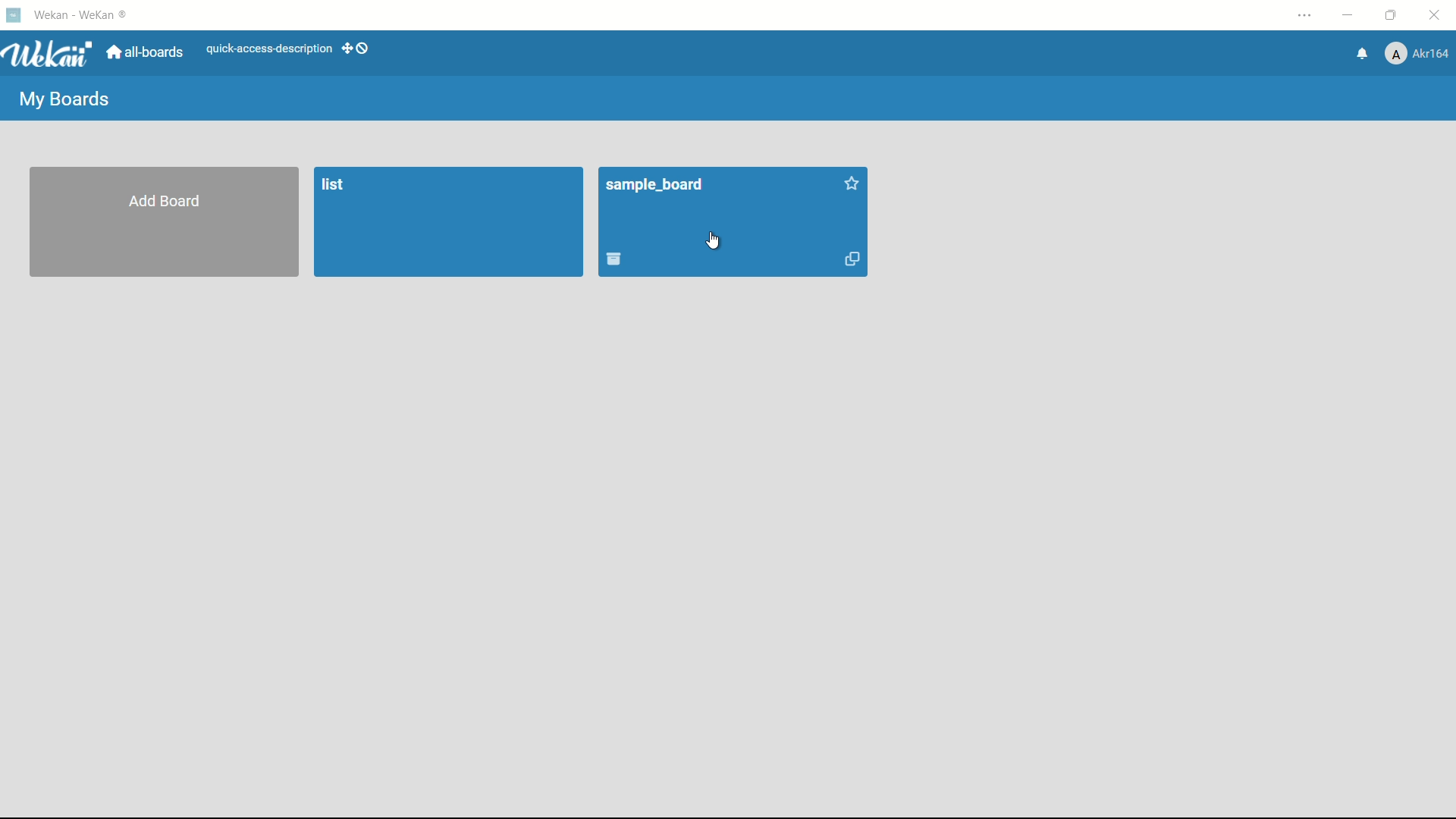  What do you see at coordinates (333, 185) in the screenshot?
I see `list` at bounding box center [333, 185].